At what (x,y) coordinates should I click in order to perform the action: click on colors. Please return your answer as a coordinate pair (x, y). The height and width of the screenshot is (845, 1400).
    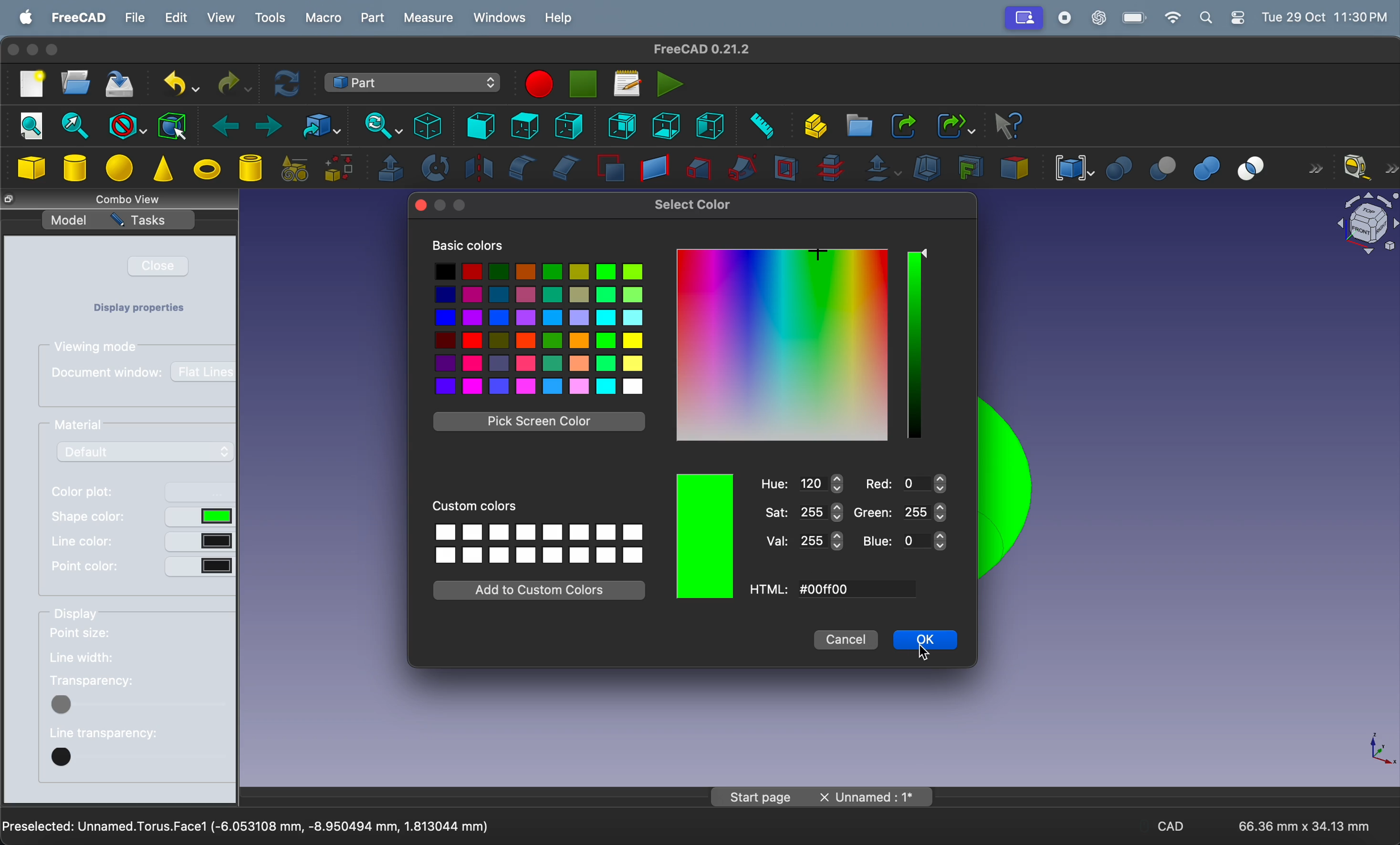
    Looking at the image, I should click on (541, 328).